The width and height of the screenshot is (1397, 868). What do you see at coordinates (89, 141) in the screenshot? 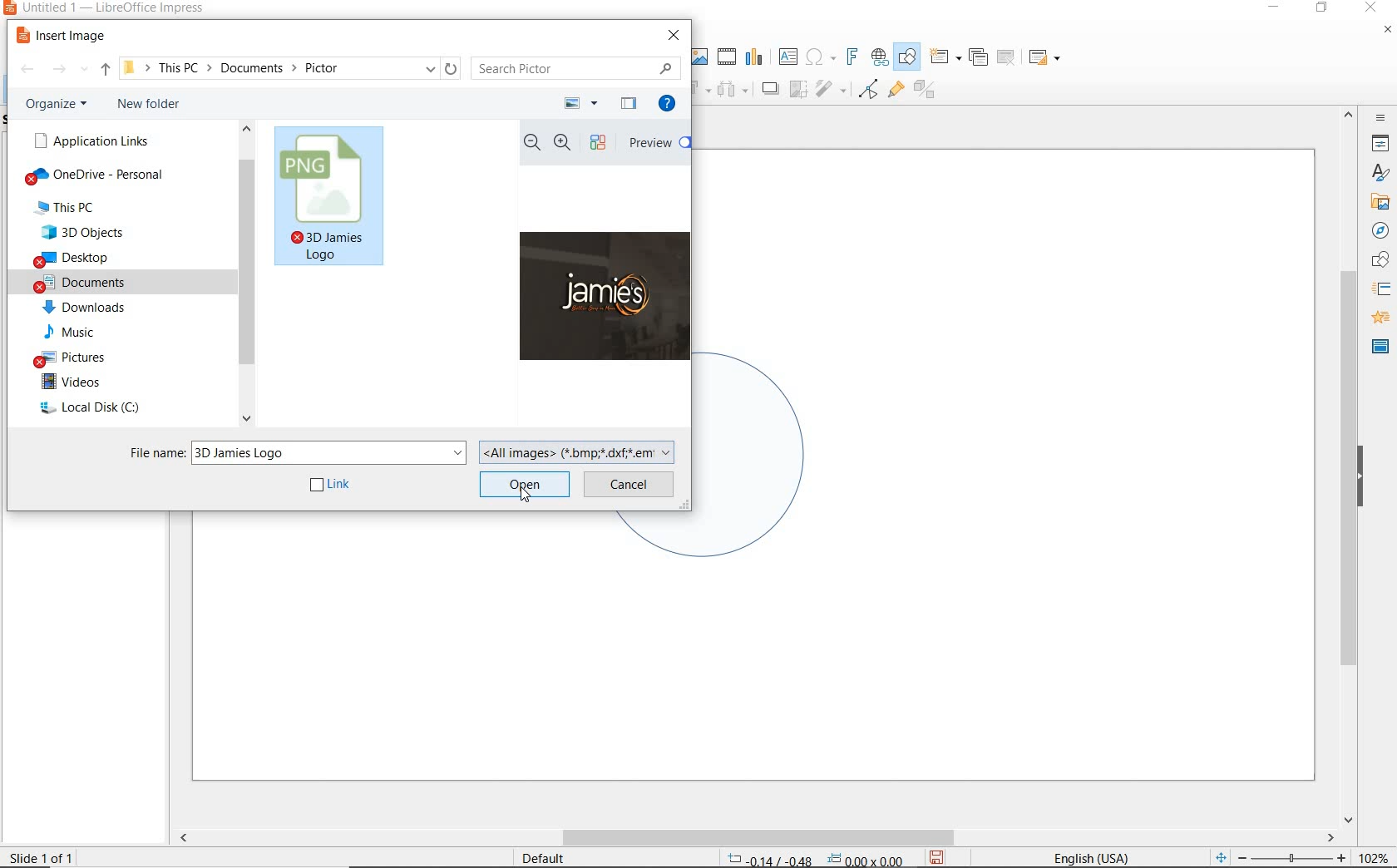
I see `Application links` at bounding box center [89, 141].